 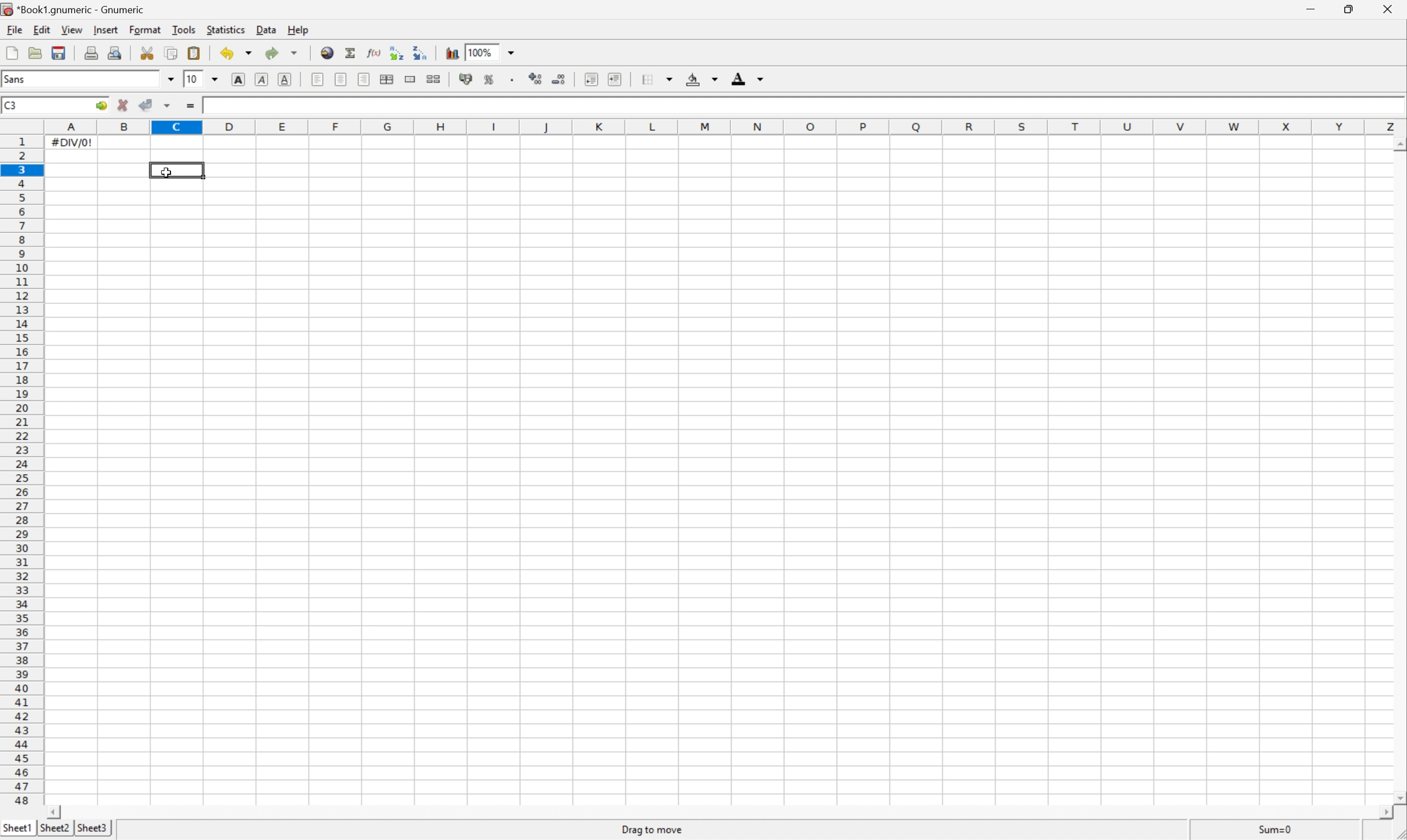 What do you see at coordinates (169, 106) in the screenshot?
I see `Accept change in multiple cells` at bounding box center [169, 106].